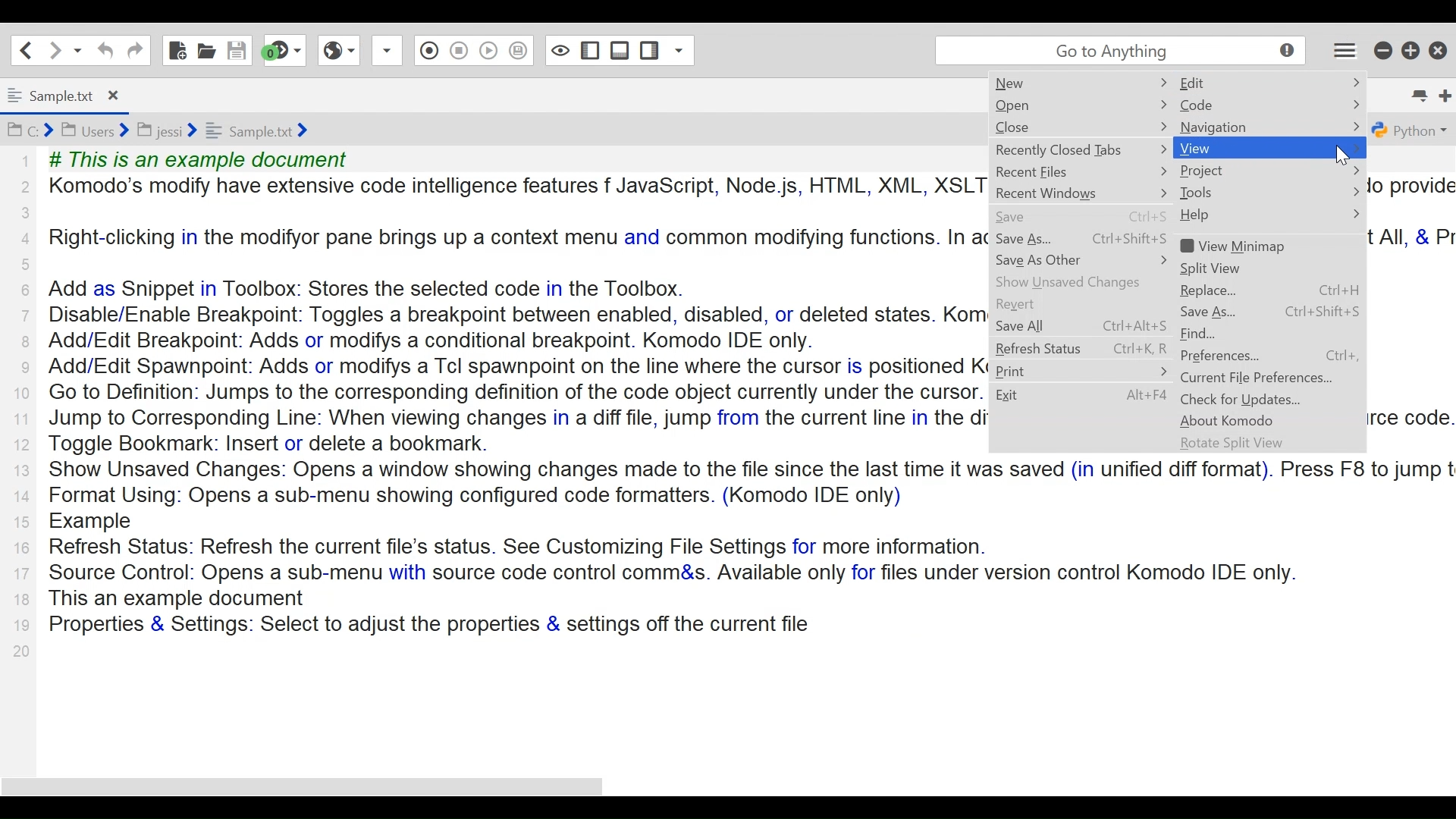 This screenshot has width=1456, height=819. What do you see at coordinates (489, 49) in the screenshot?
I see `Save Macro to Toolbox as Superscript` at bounding box center [489, 49].